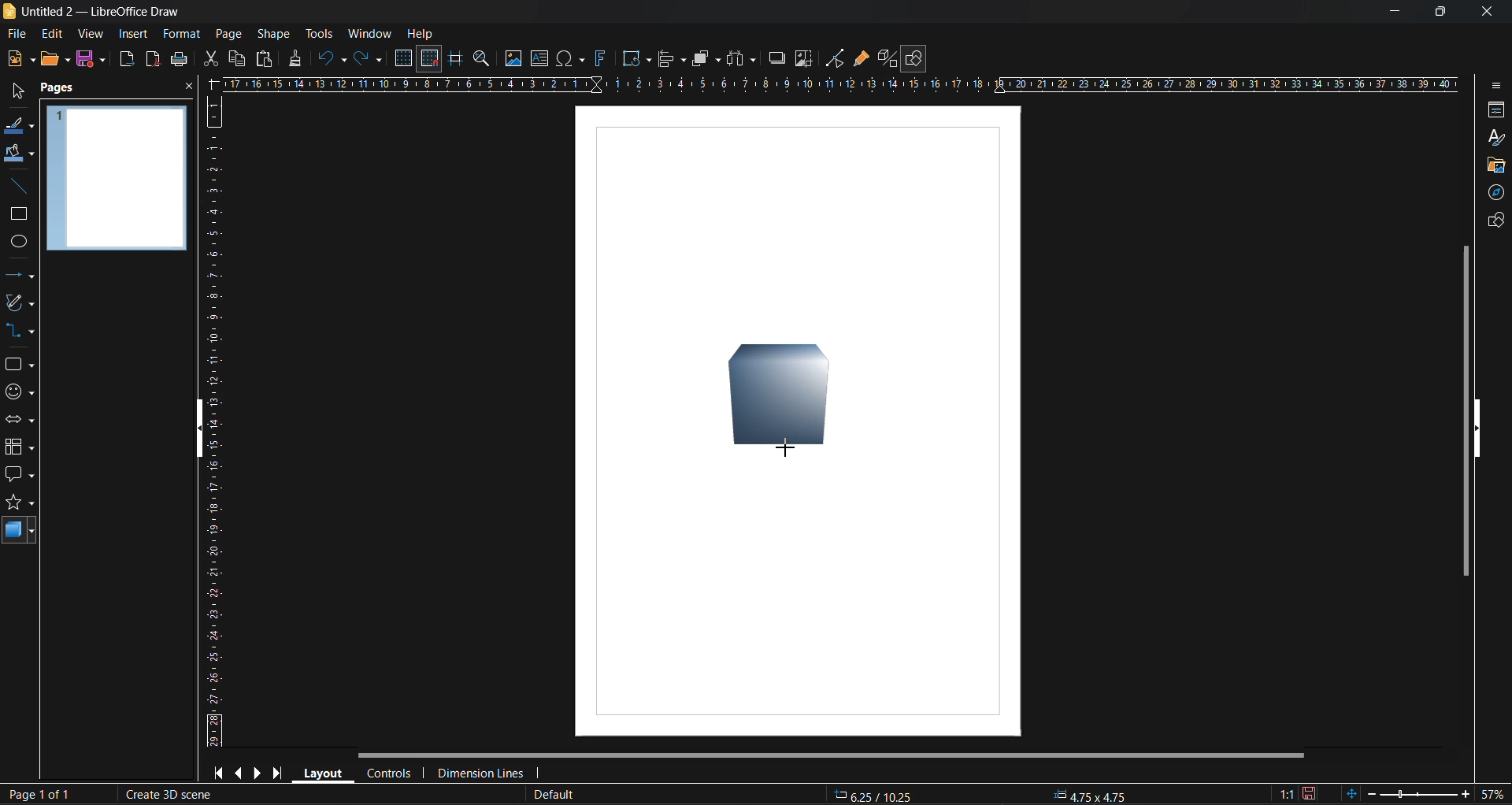 This screenshot has height=805, width=1512. Describe the element at coordinates (319, 33) in the screenshot. I see `tools` at that location.